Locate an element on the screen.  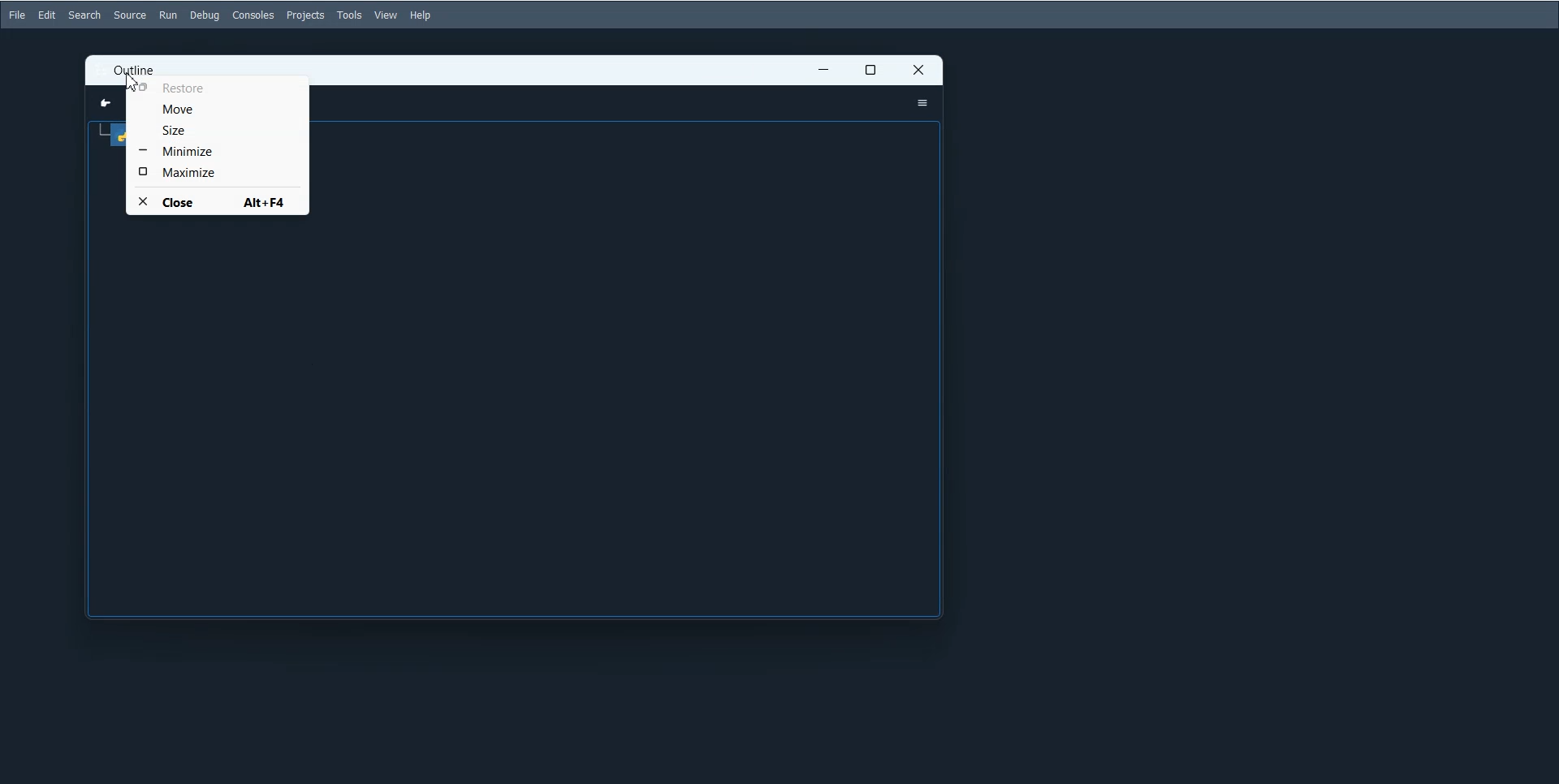
Minimize is located at coordinates (823, 71).